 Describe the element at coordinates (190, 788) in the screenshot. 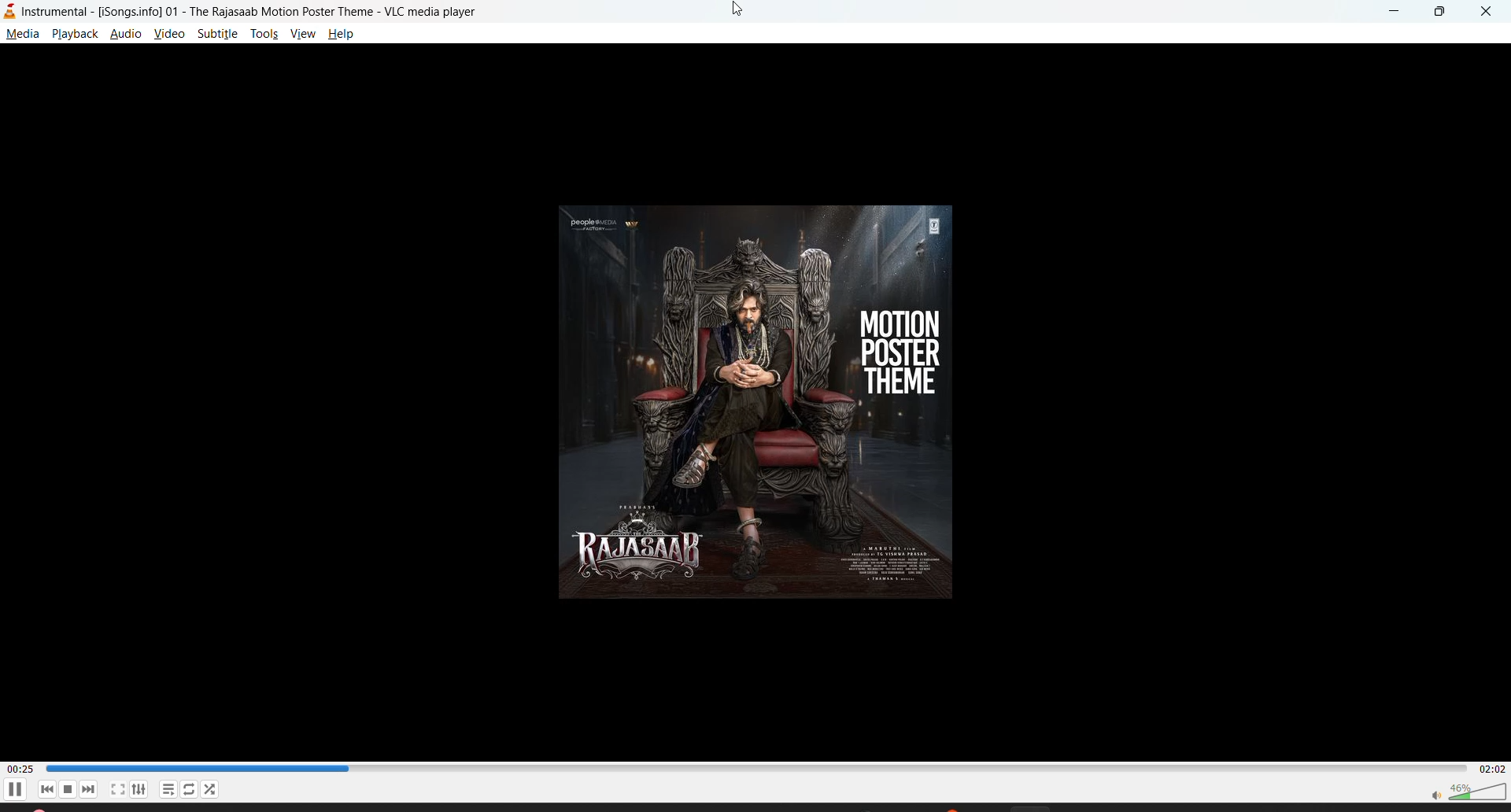

I see `loop` at that location.